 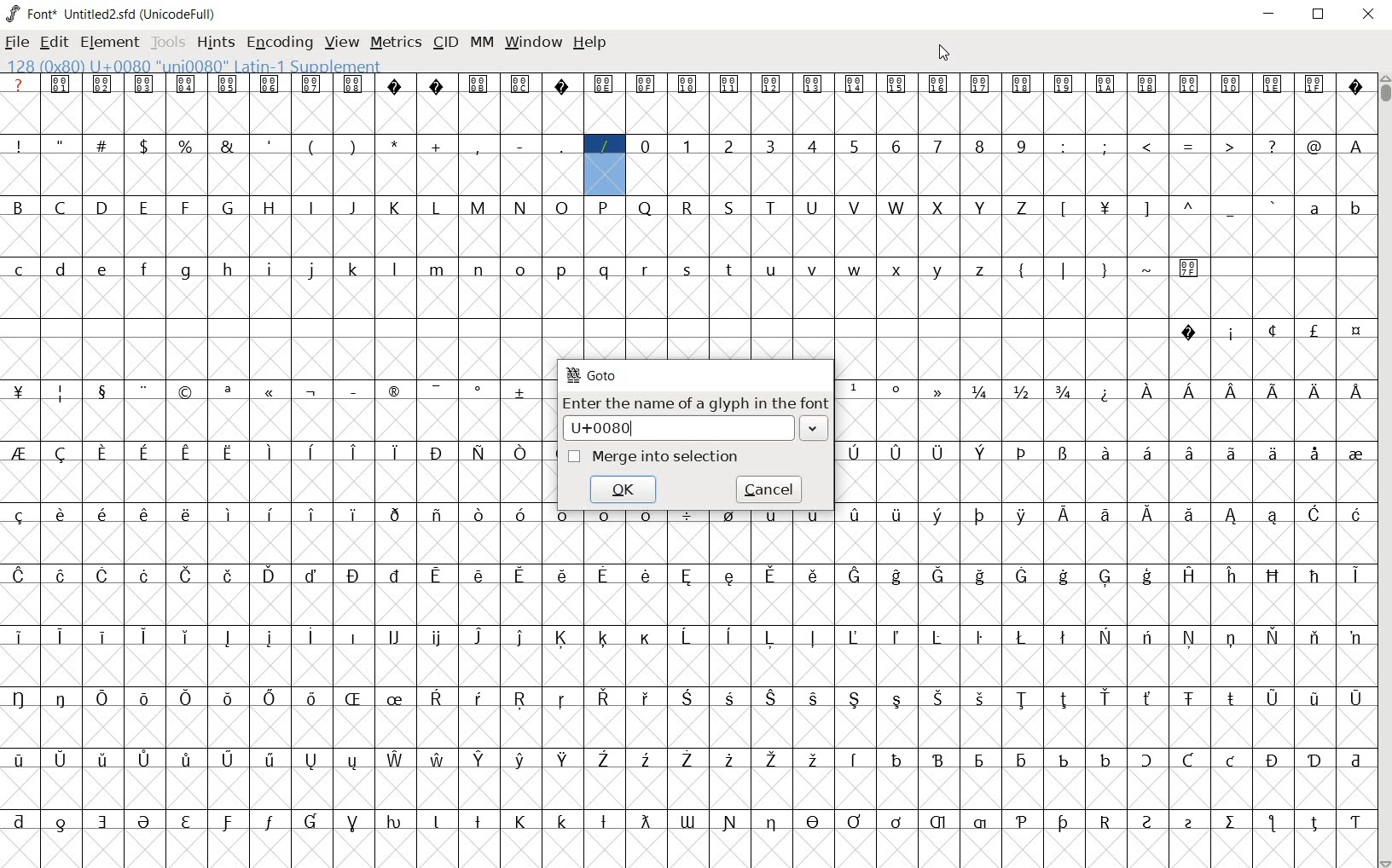 What do you see at coordinates (168, 43) in the screenshot?
I see `TOOLS` at bounding box center [168, 43].